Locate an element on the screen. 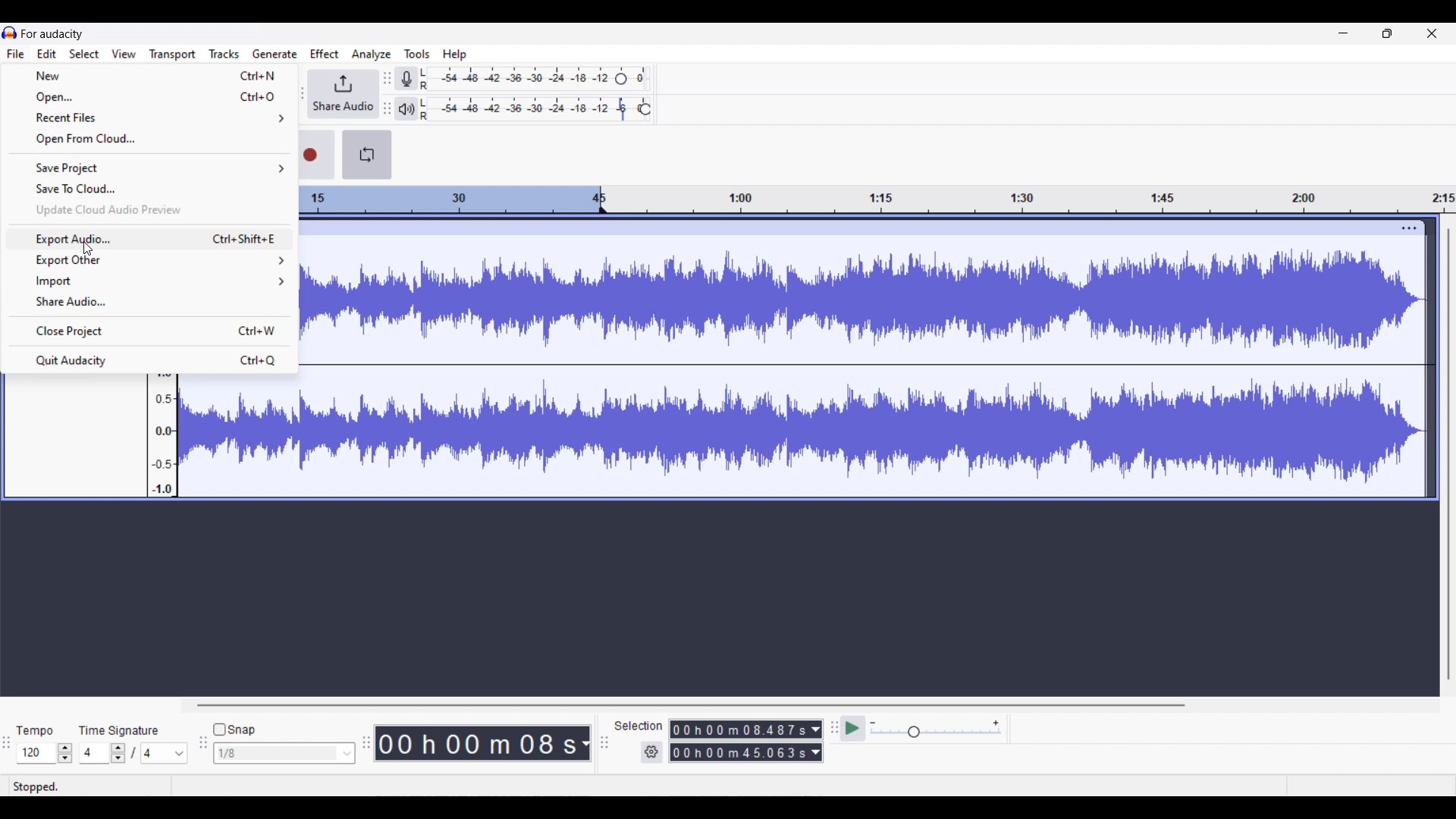 This screenshot has height=819, width=1456. Export other options is located at coordinates (151, 260).